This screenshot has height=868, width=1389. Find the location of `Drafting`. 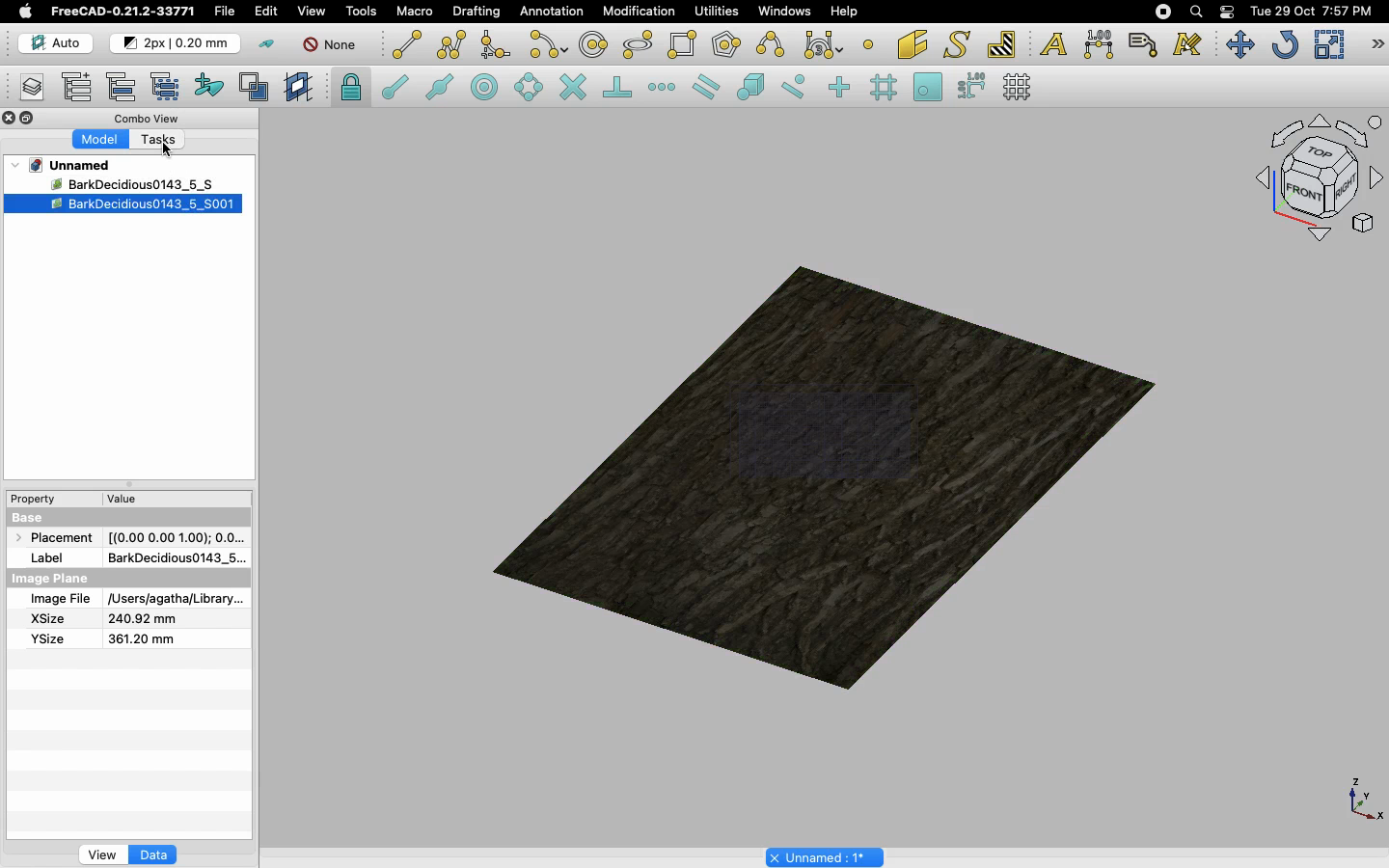

Drafting is located at coordinates (478, 11).